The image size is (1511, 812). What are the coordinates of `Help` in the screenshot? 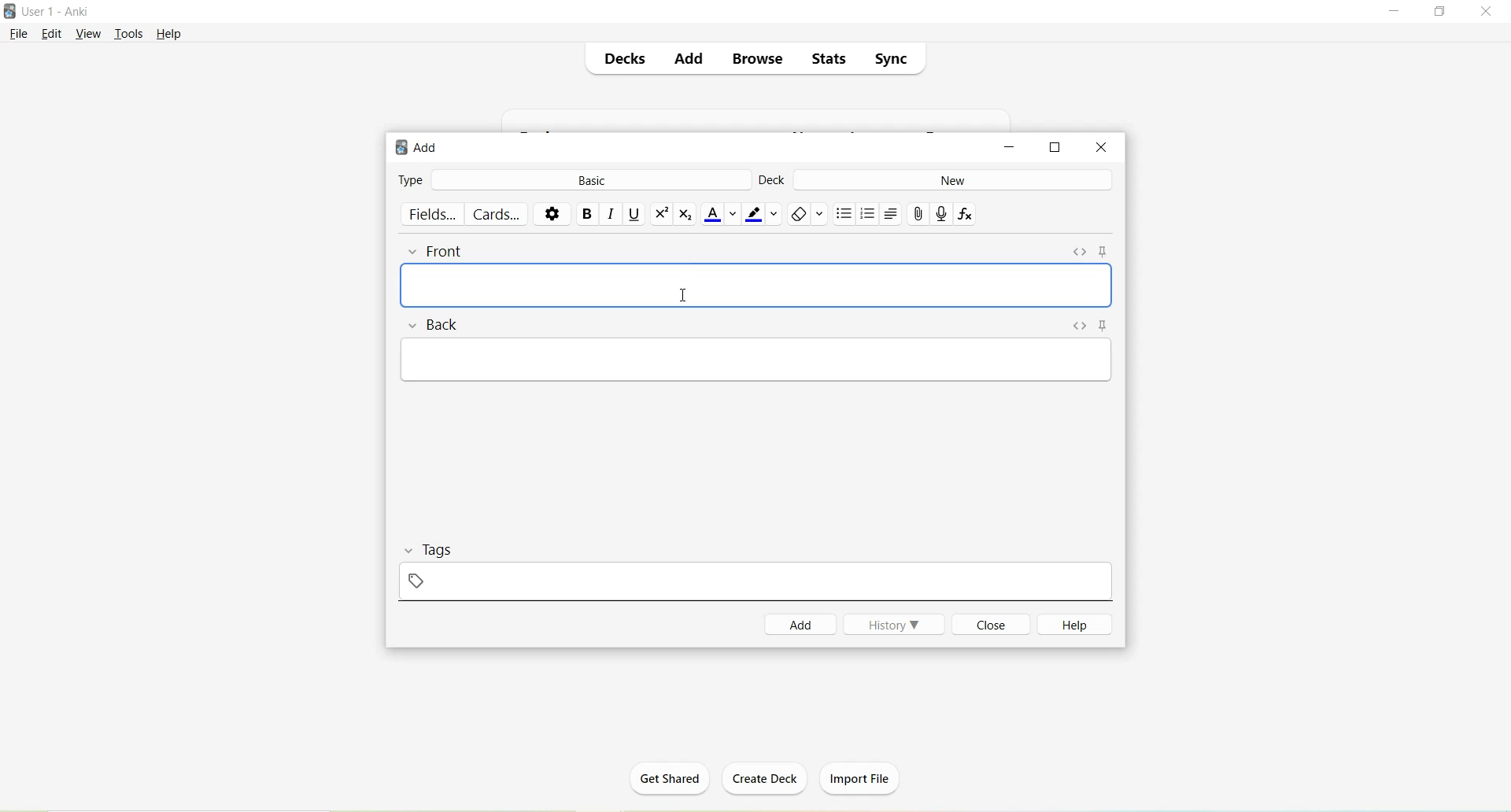 It's located at (1070, 625).